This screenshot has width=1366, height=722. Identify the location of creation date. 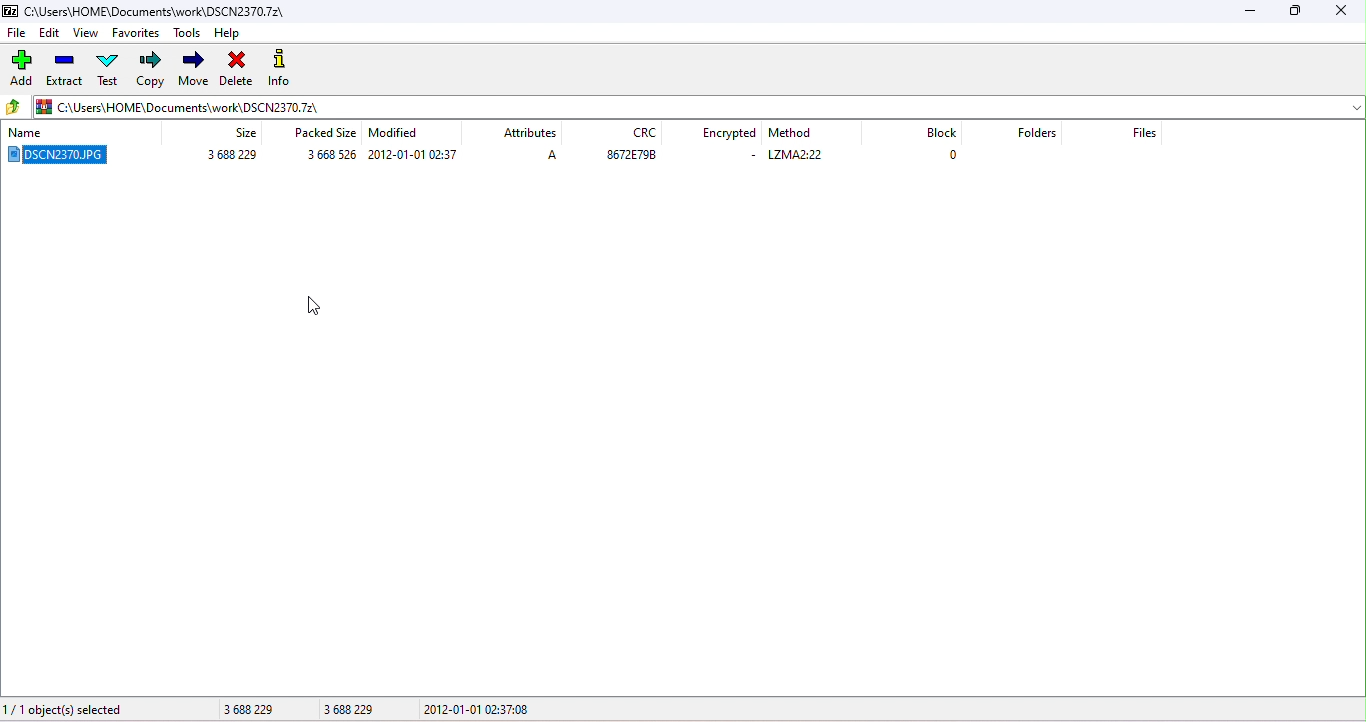
(482, 711).